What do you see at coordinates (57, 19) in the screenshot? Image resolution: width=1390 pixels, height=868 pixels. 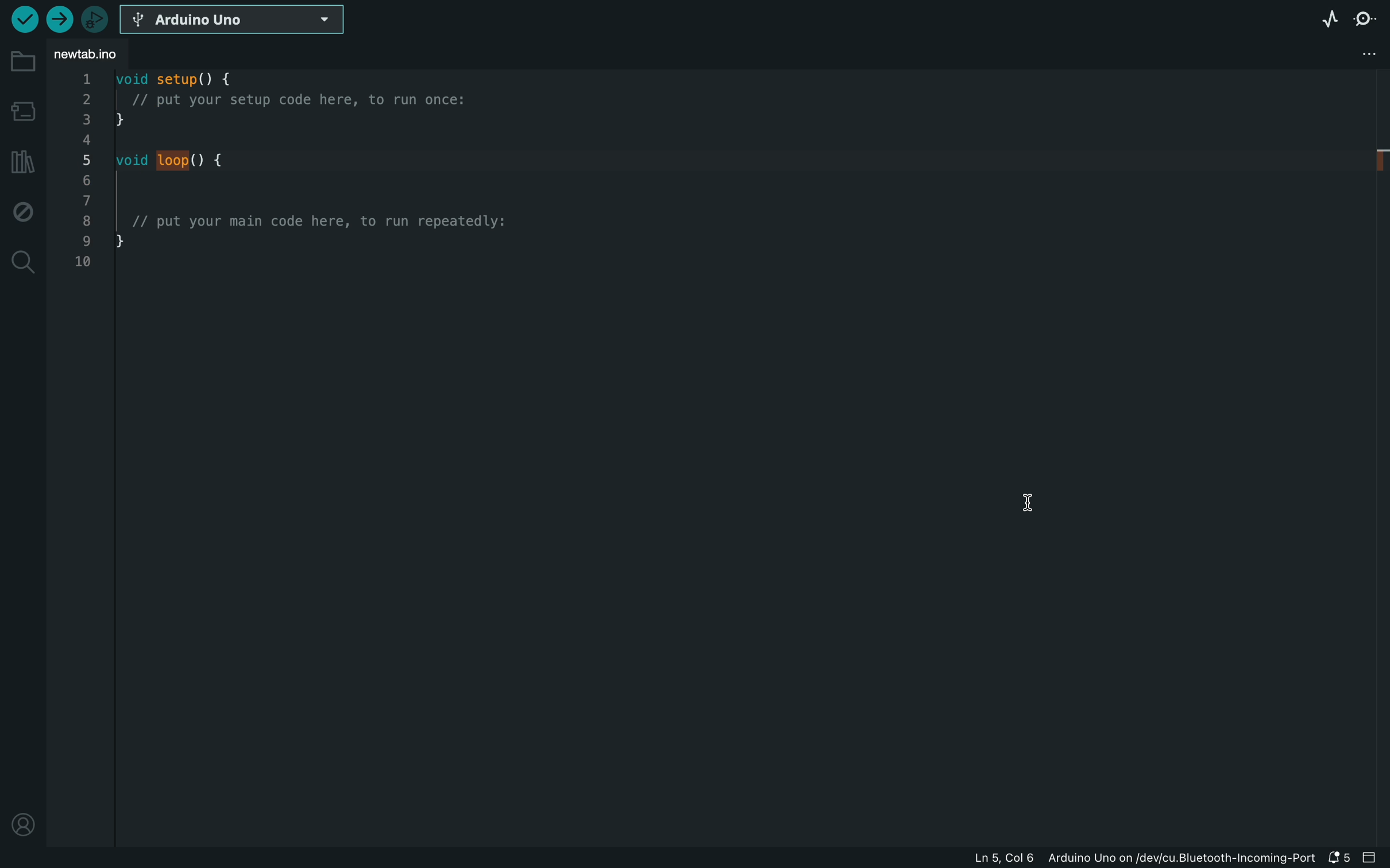 I see `upload` at bounding box center [57, 19].